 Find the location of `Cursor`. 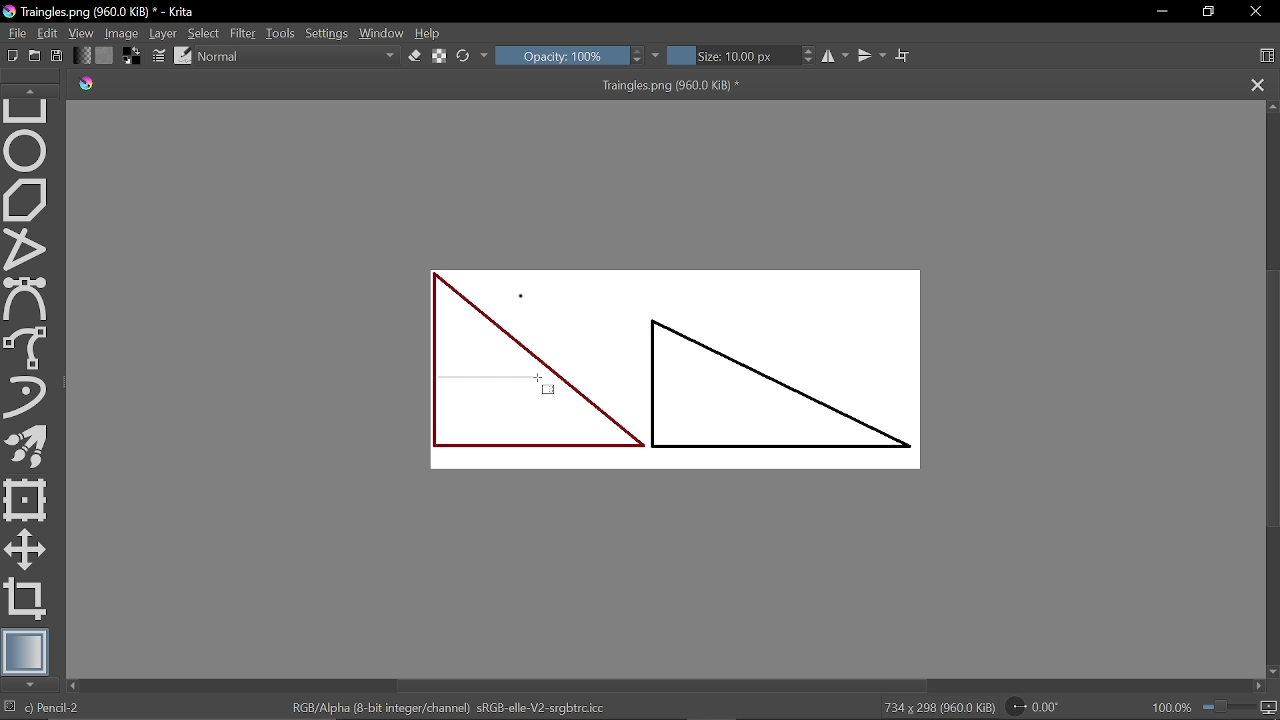

Cursor is located at coordinates (546, 388).